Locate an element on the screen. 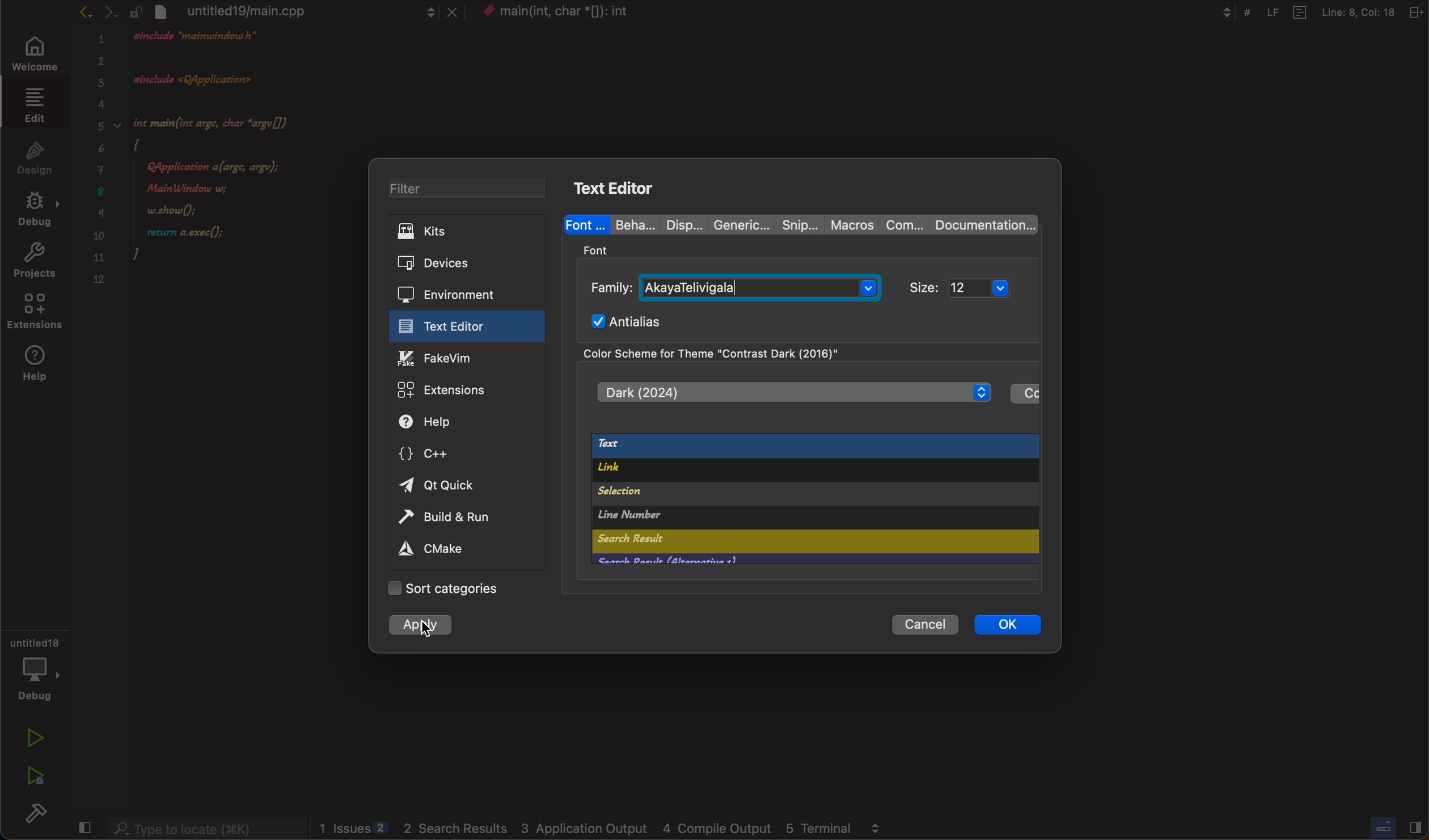 Image resolution: width=1429 pixels, height=840 pixels. extensions is located at coordinates (462, 391).